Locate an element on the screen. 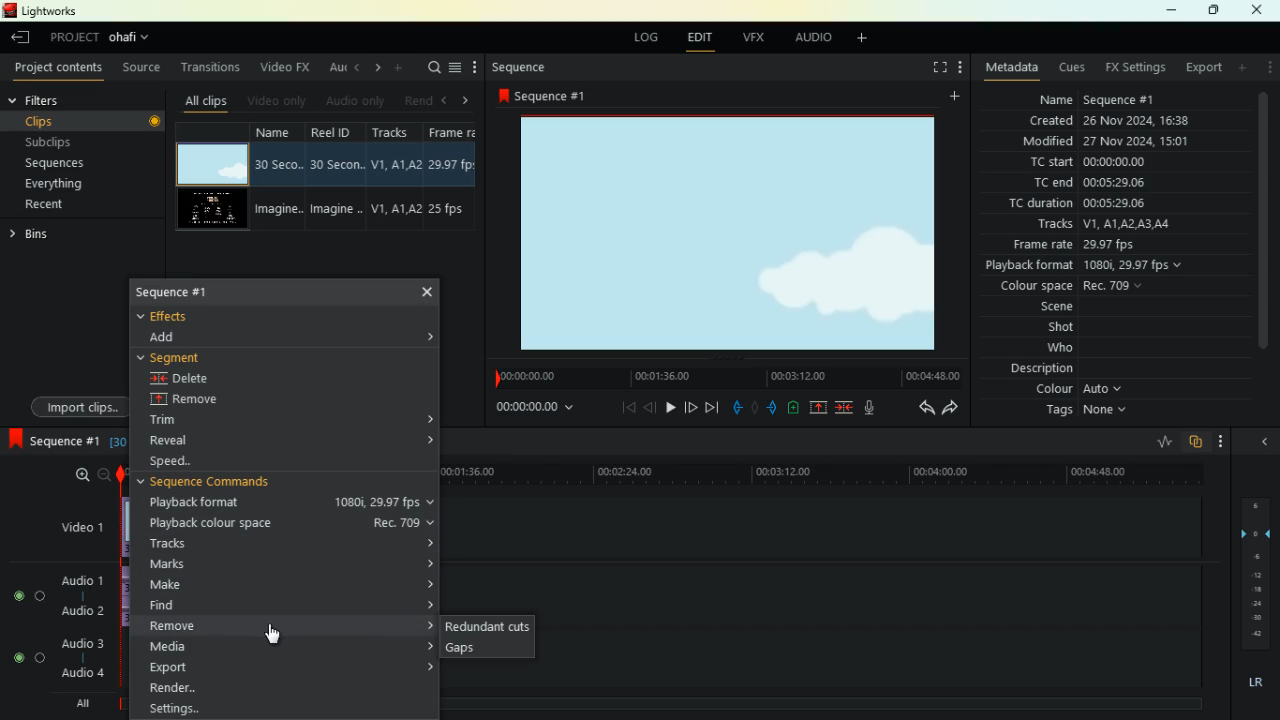  sequence is located at coordinates (548, 97).